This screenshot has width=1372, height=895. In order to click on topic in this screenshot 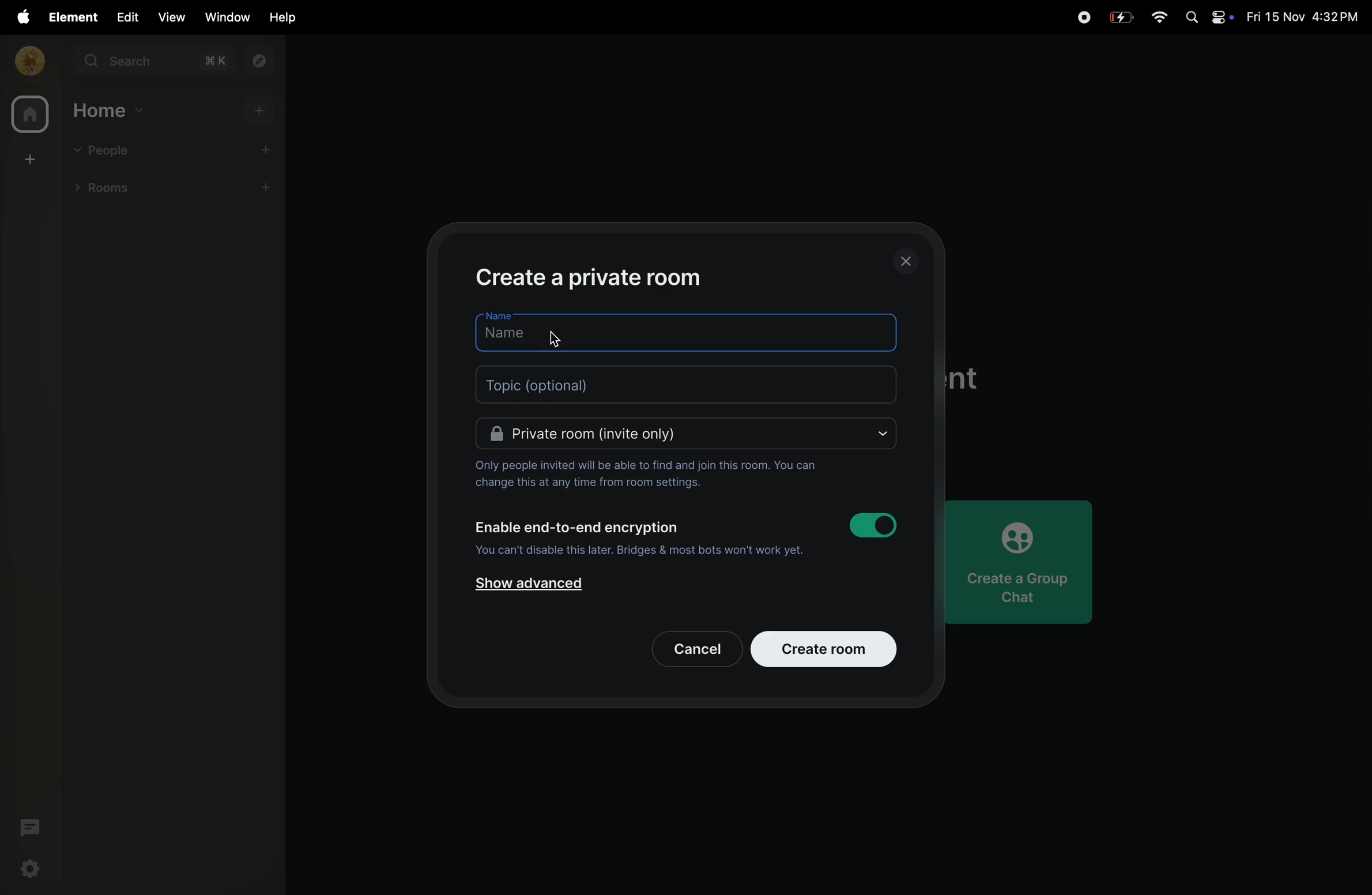, I will do `click(691, 383)`.